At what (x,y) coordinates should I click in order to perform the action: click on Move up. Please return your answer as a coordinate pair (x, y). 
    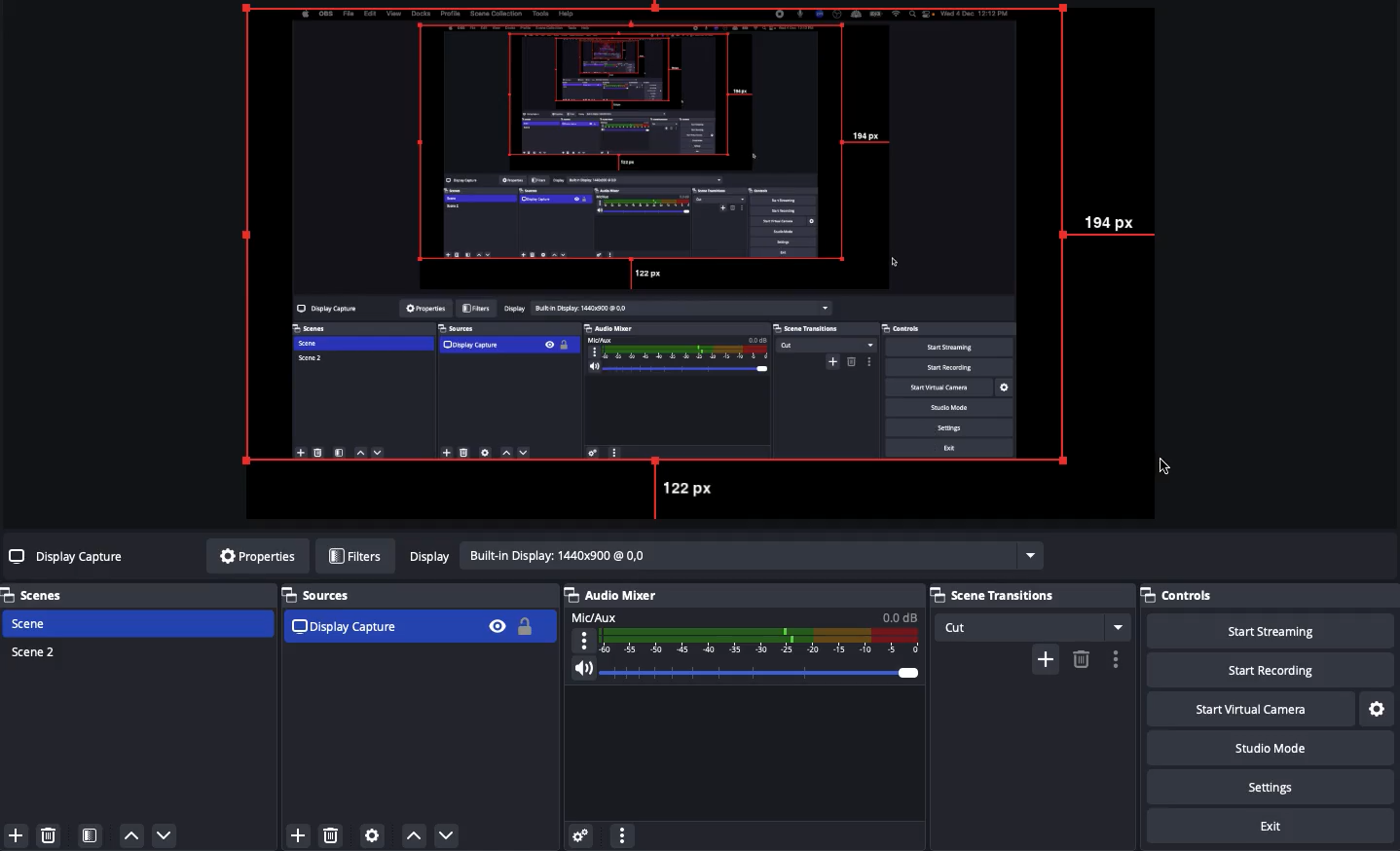
    Looking at the image, I should click on (131, 836).